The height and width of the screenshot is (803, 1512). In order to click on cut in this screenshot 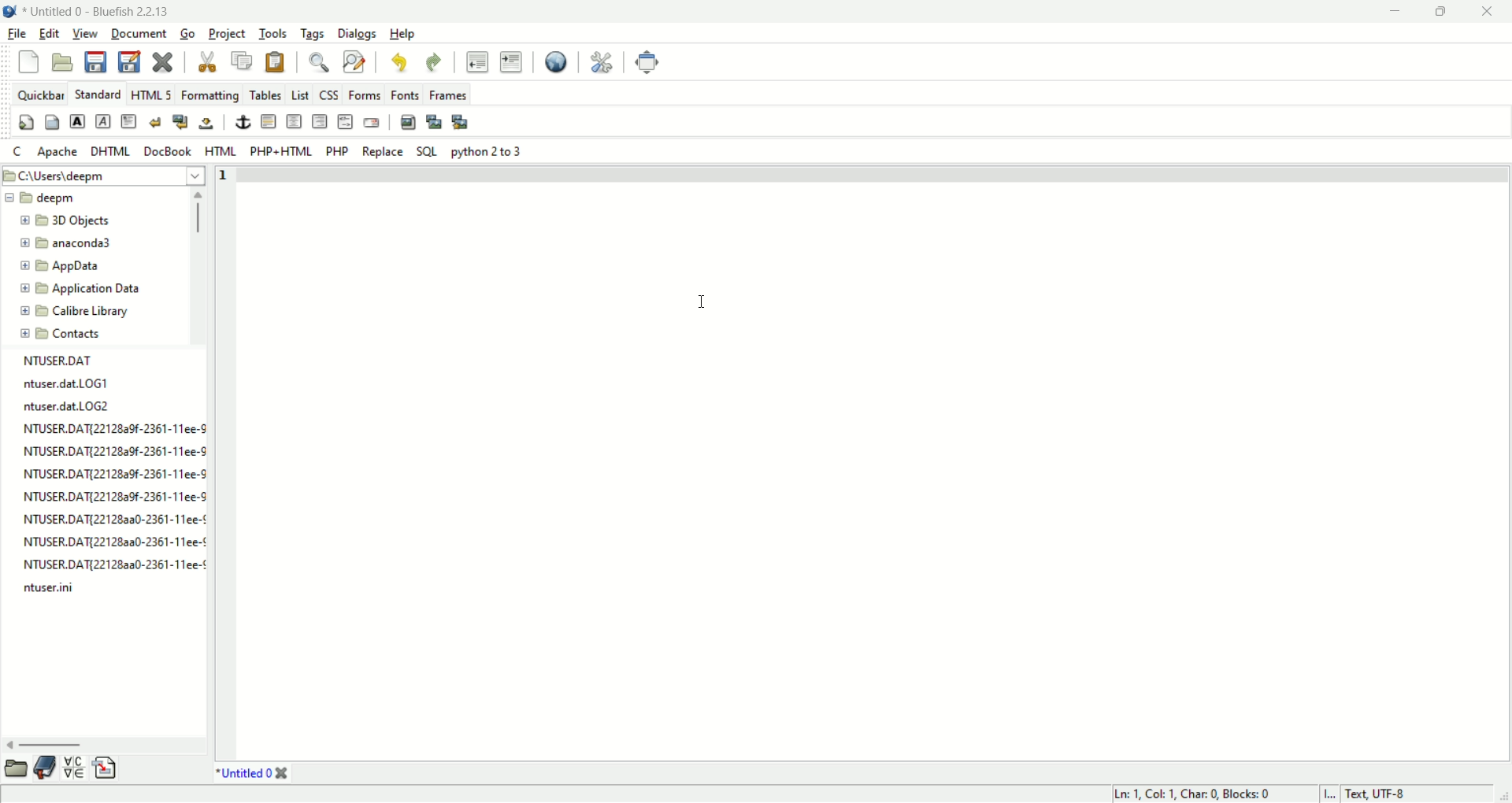, I will do `click(206, 63)`.